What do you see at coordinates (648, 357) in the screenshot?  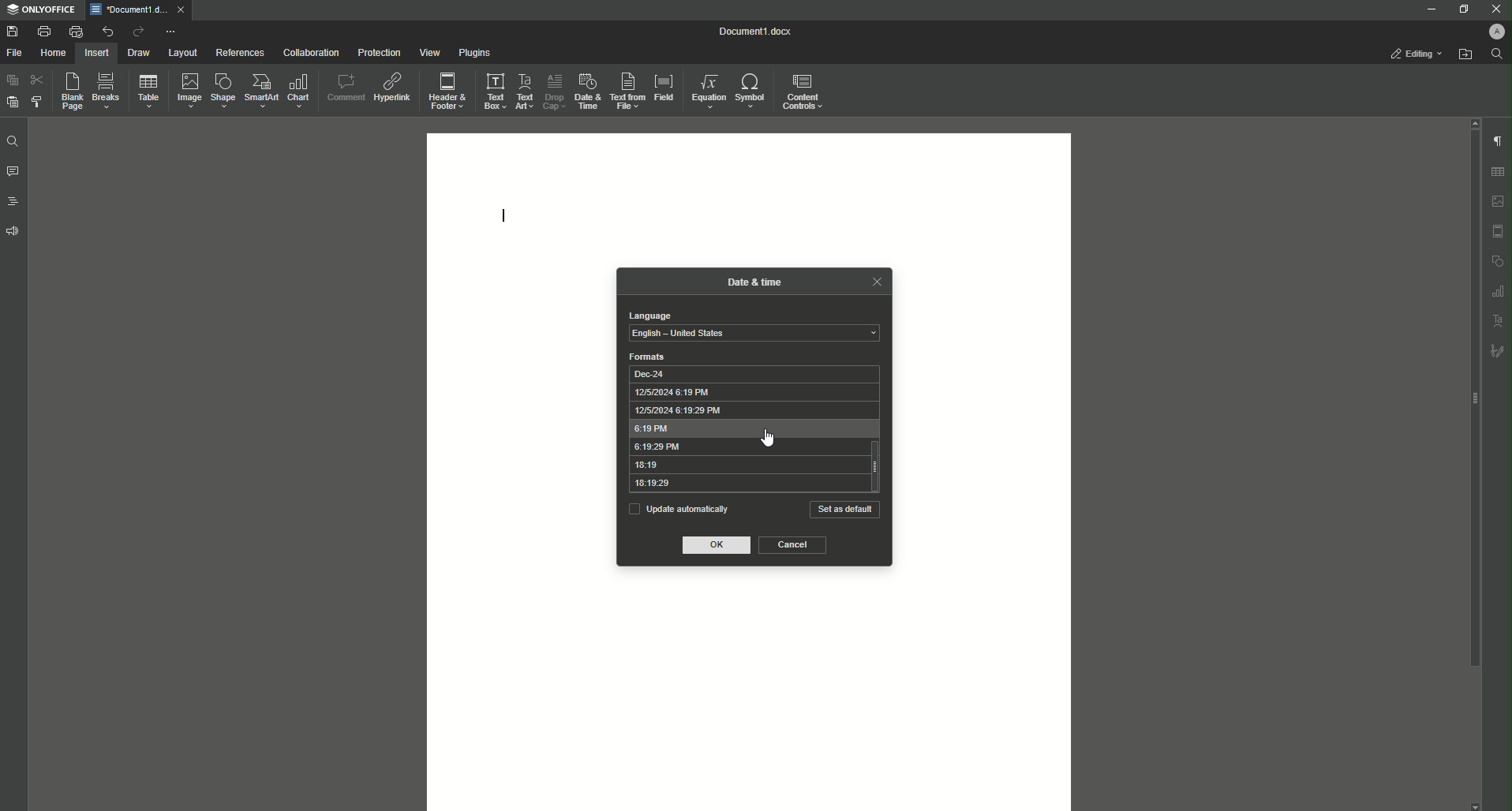 I see `formats` at bounding box center [648, 357].